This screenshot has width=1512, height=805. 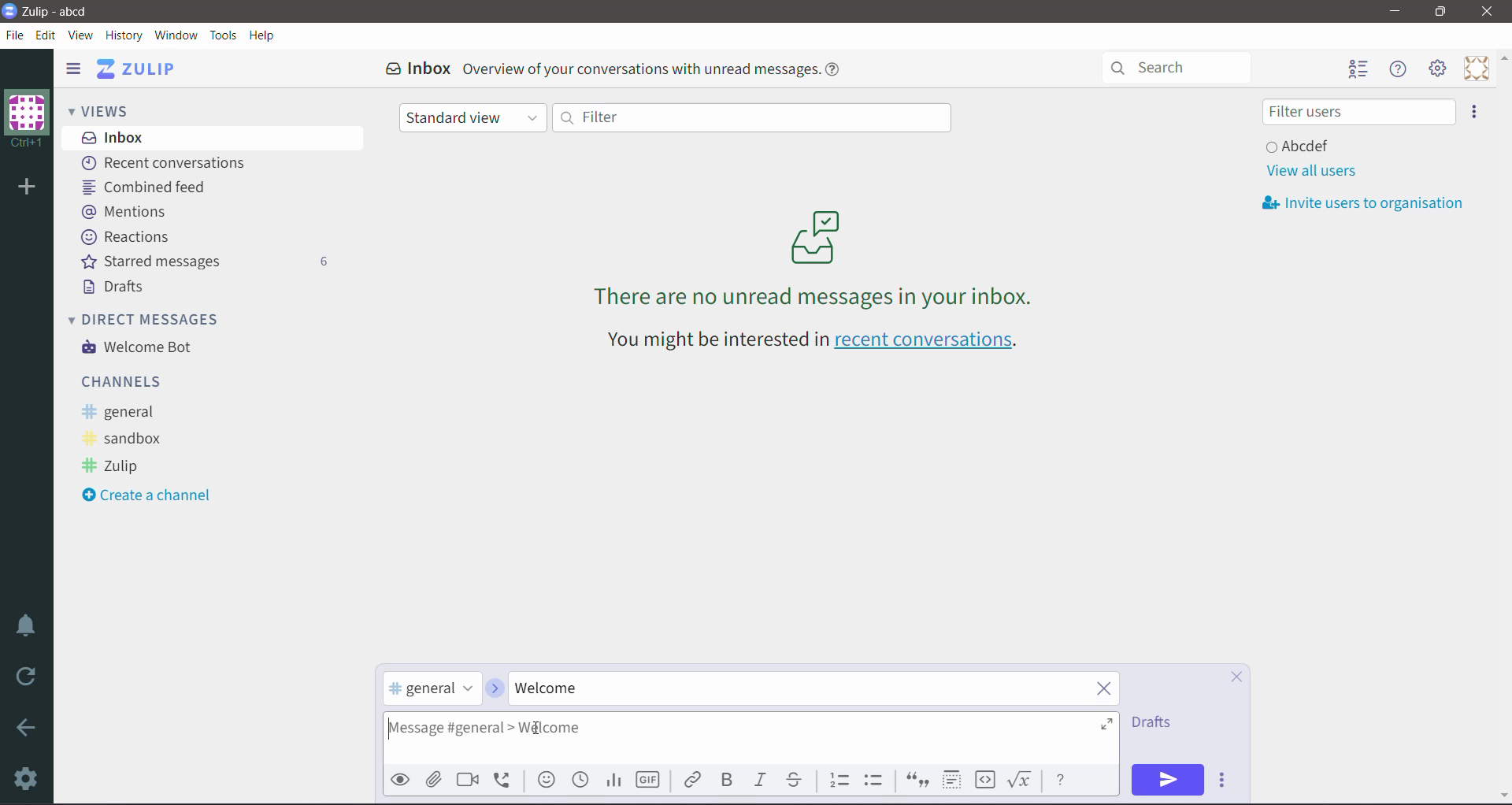 I want to click on Hide left sidebar, so click(x=72, y=68).